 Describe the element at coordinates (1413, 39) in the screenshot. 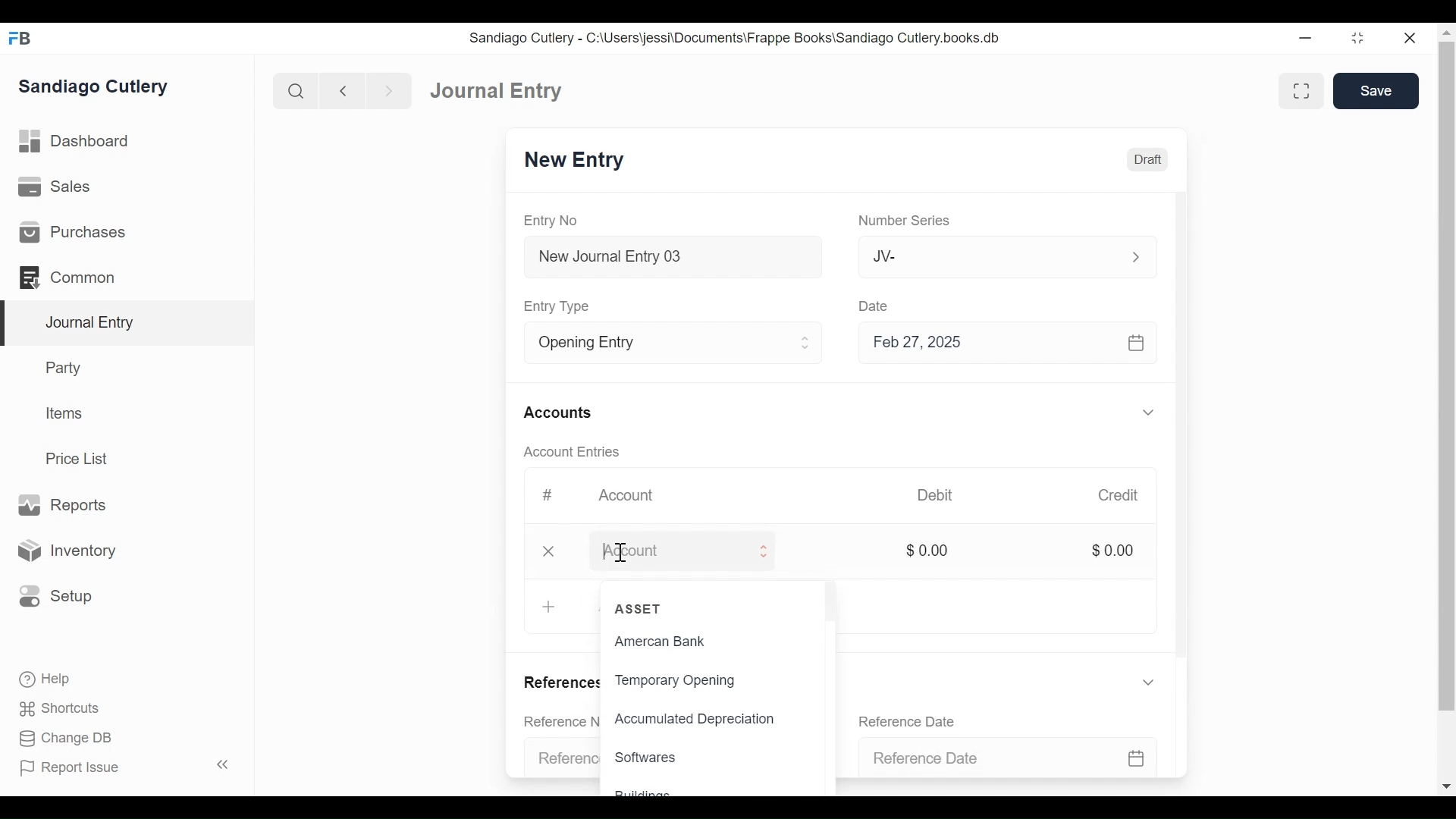

I see `Close` at that location.